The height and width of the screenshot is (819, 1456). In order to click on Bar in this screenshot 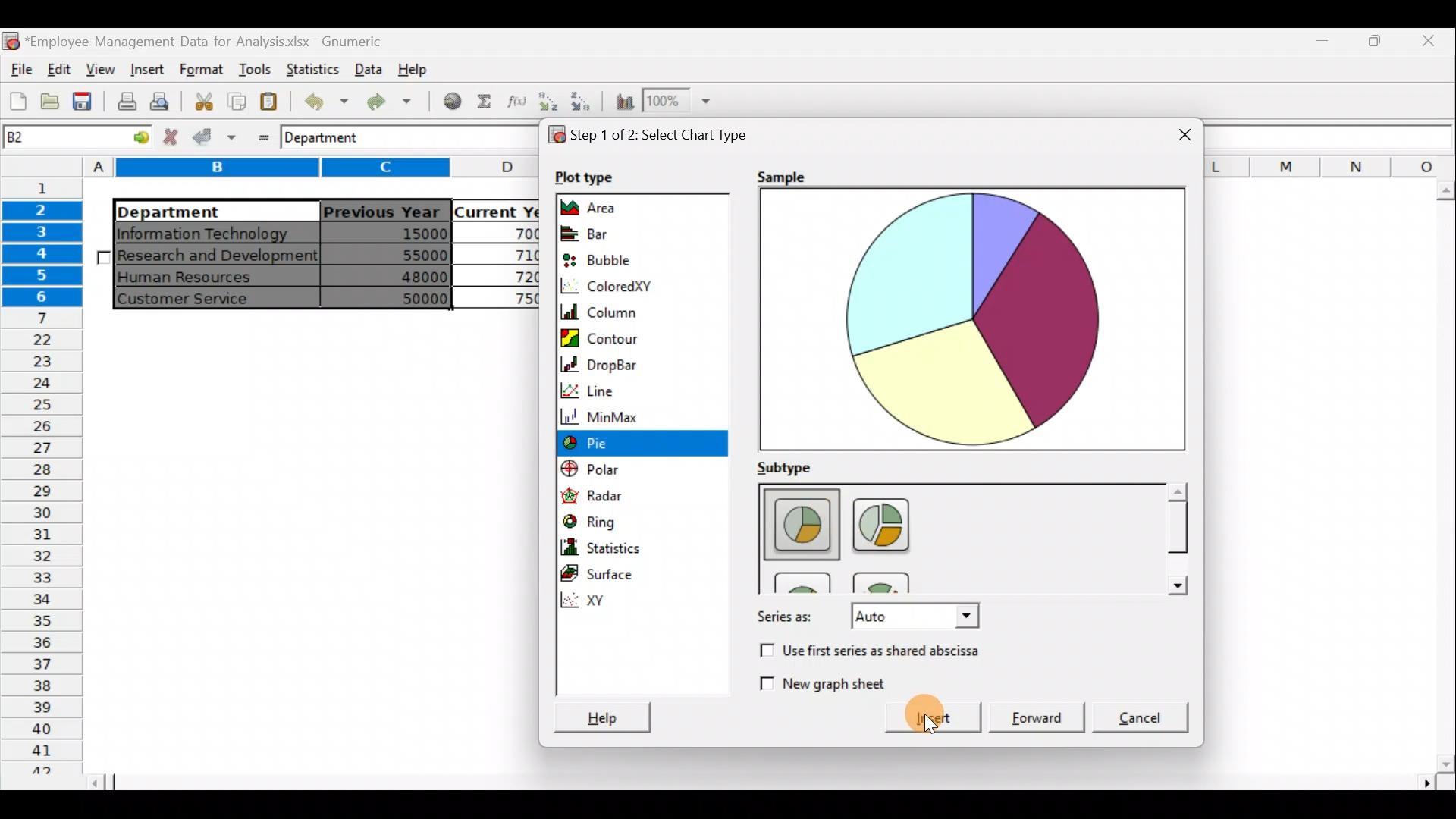, I will do `click(616, 233)`.